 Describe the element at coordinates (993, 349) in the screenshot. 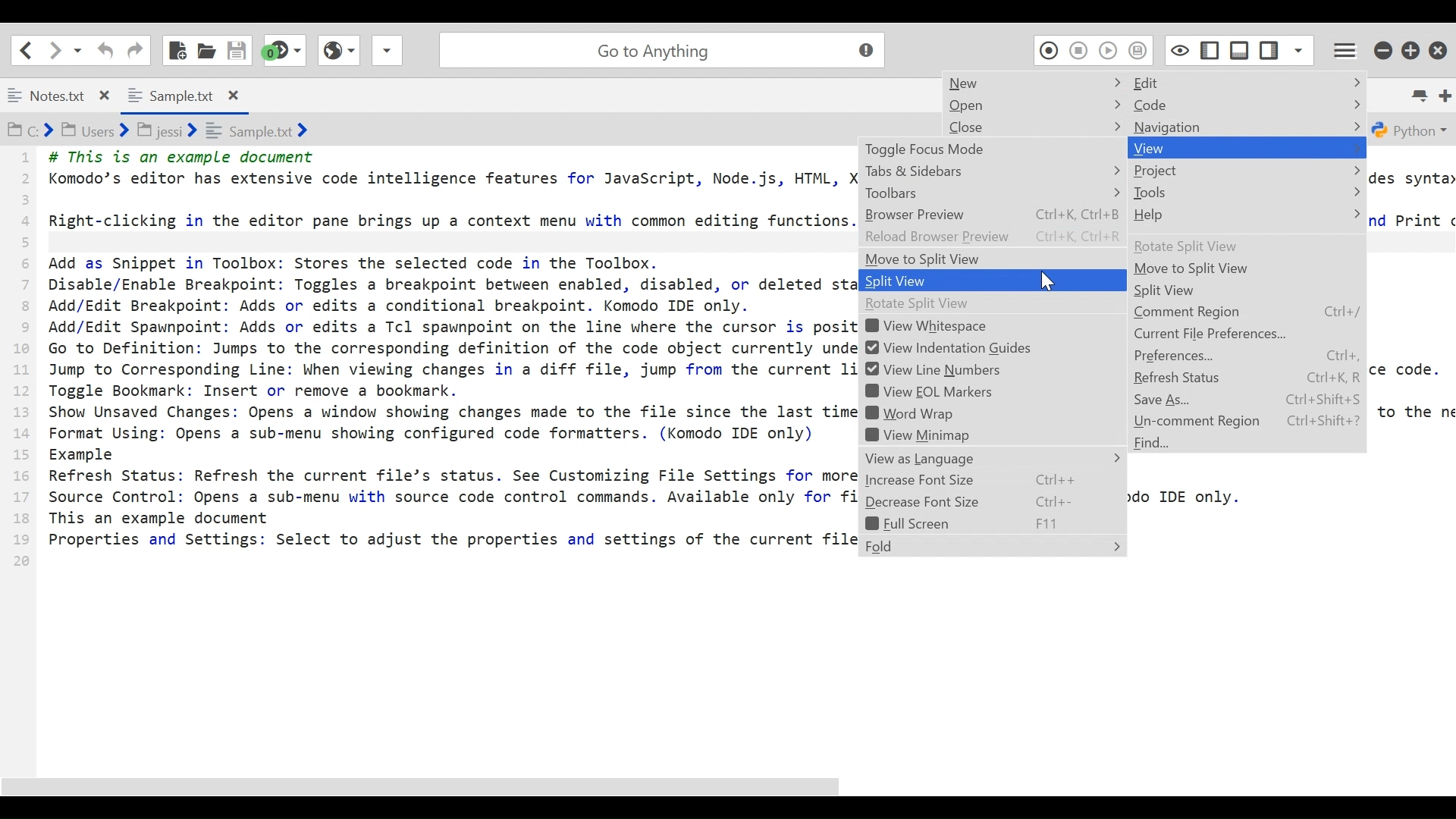

I see `View Indentation Guides` at that location.